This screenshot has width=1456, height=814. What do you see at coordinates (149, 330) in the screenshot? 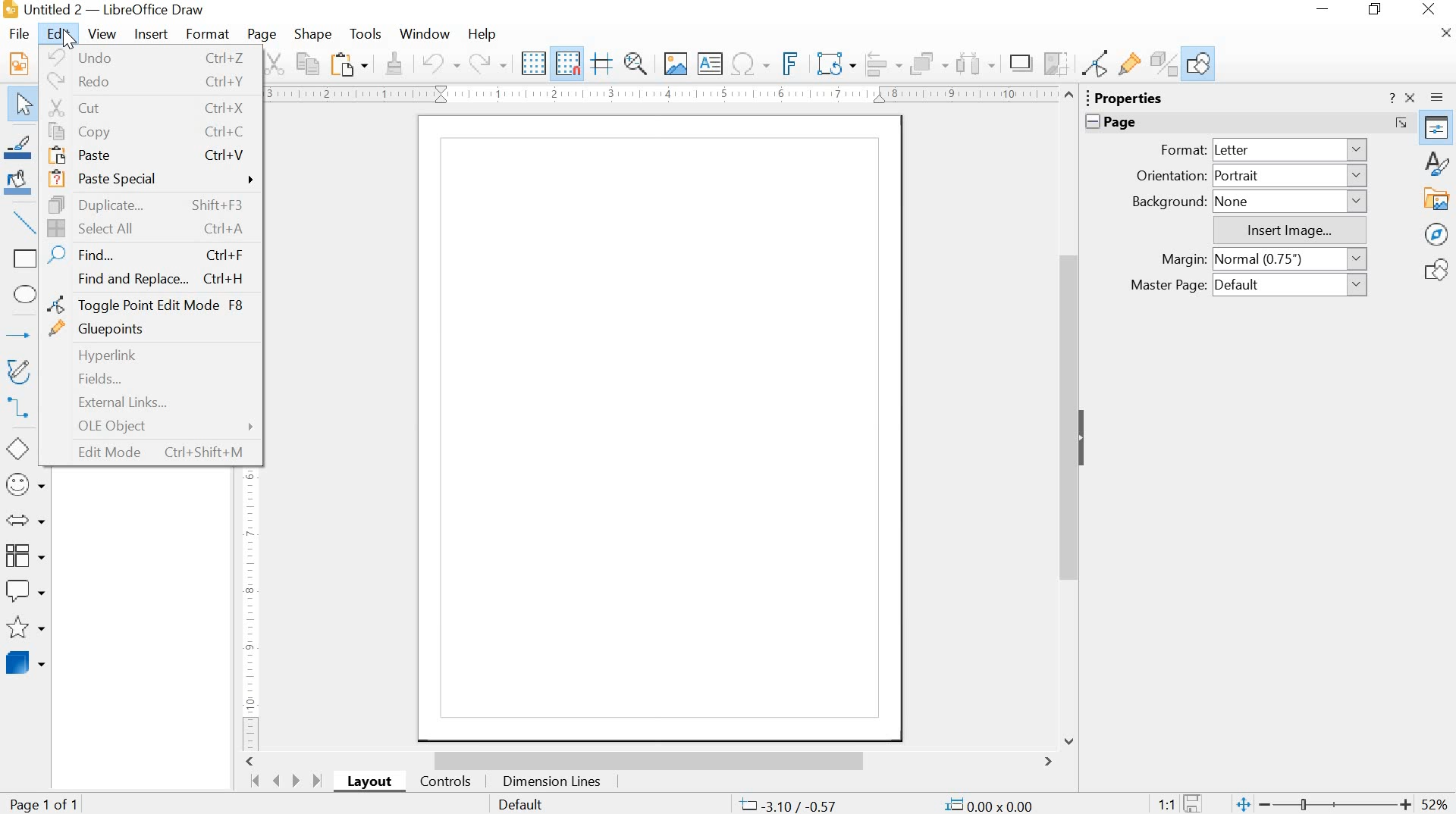
I see `gluepoints` at bounding box center [149, 330].